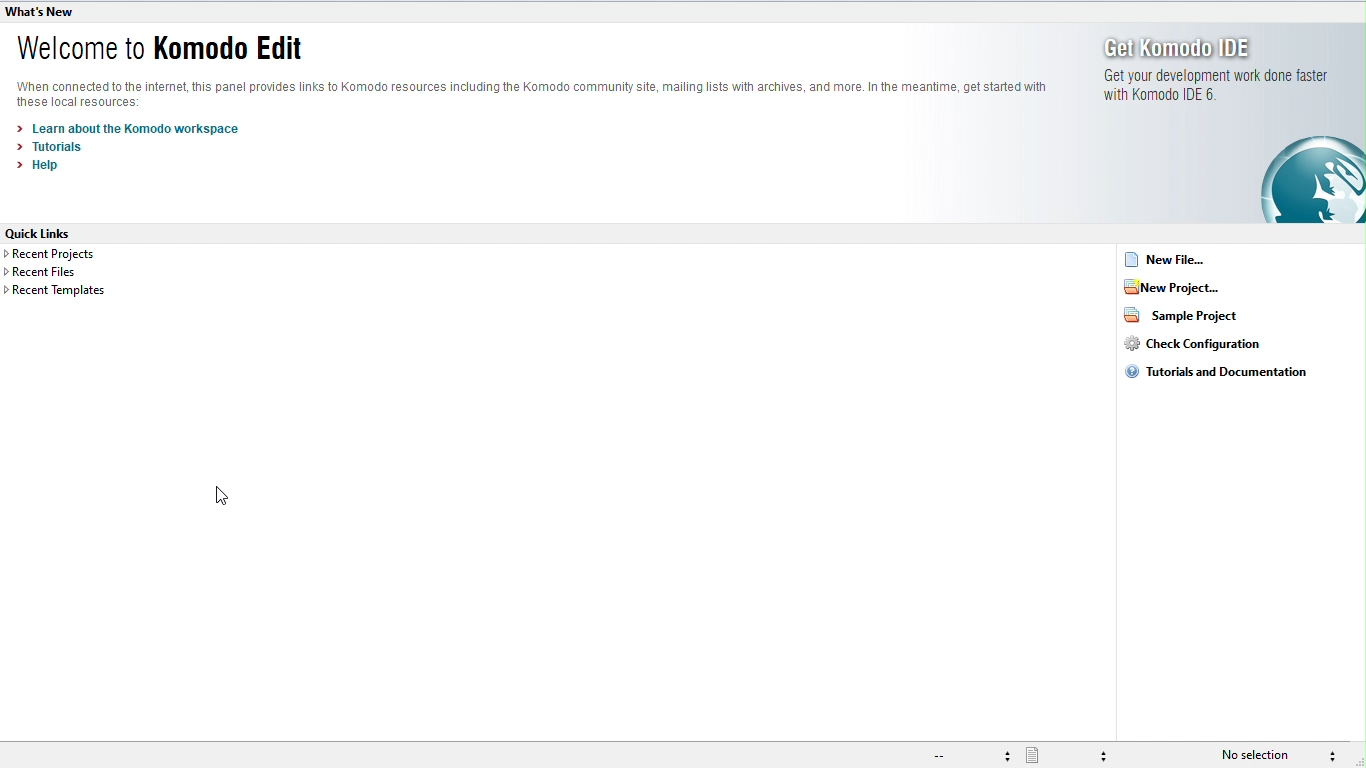 This screenshot has height=768, width=1366. What do you see at coordinates (1210, 47) in the screenshot?
I see `get komodo ide` at bounding box center [1210, 47].